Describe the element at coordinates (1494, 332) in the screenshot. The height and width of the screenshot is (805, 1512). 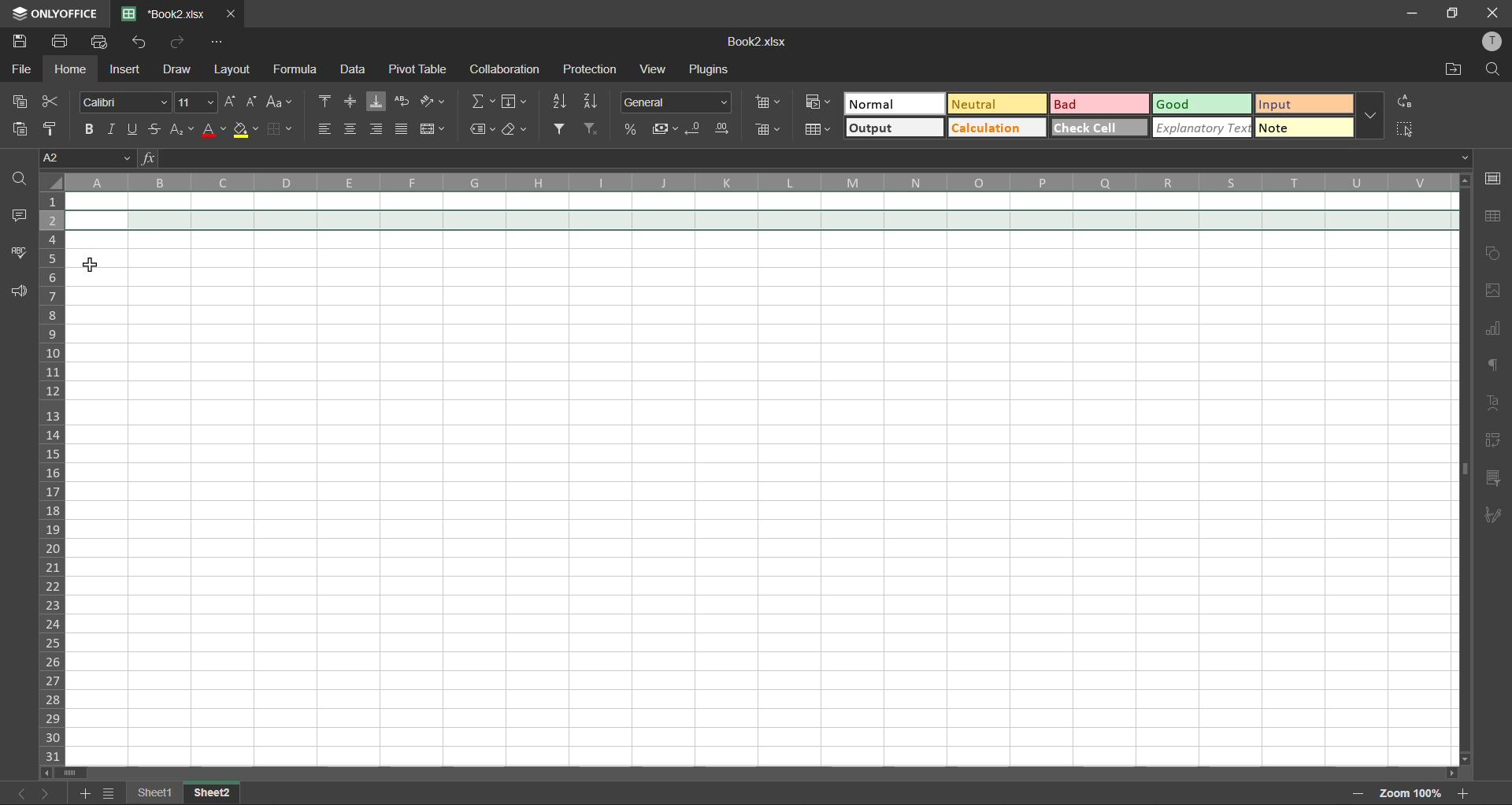
I see `charts` at that location.